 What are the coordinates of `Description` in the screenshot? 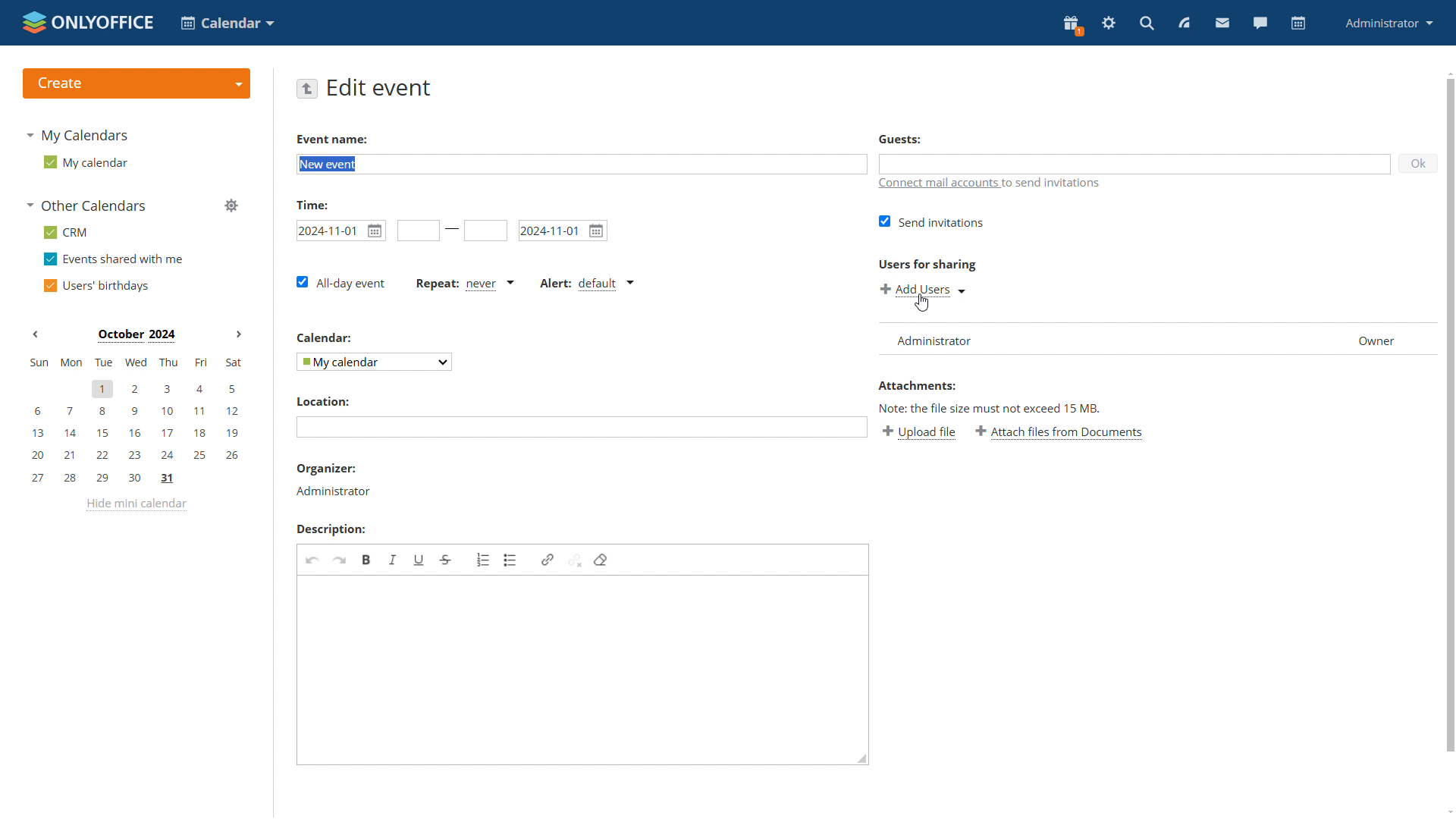 It's located at (330, 530).